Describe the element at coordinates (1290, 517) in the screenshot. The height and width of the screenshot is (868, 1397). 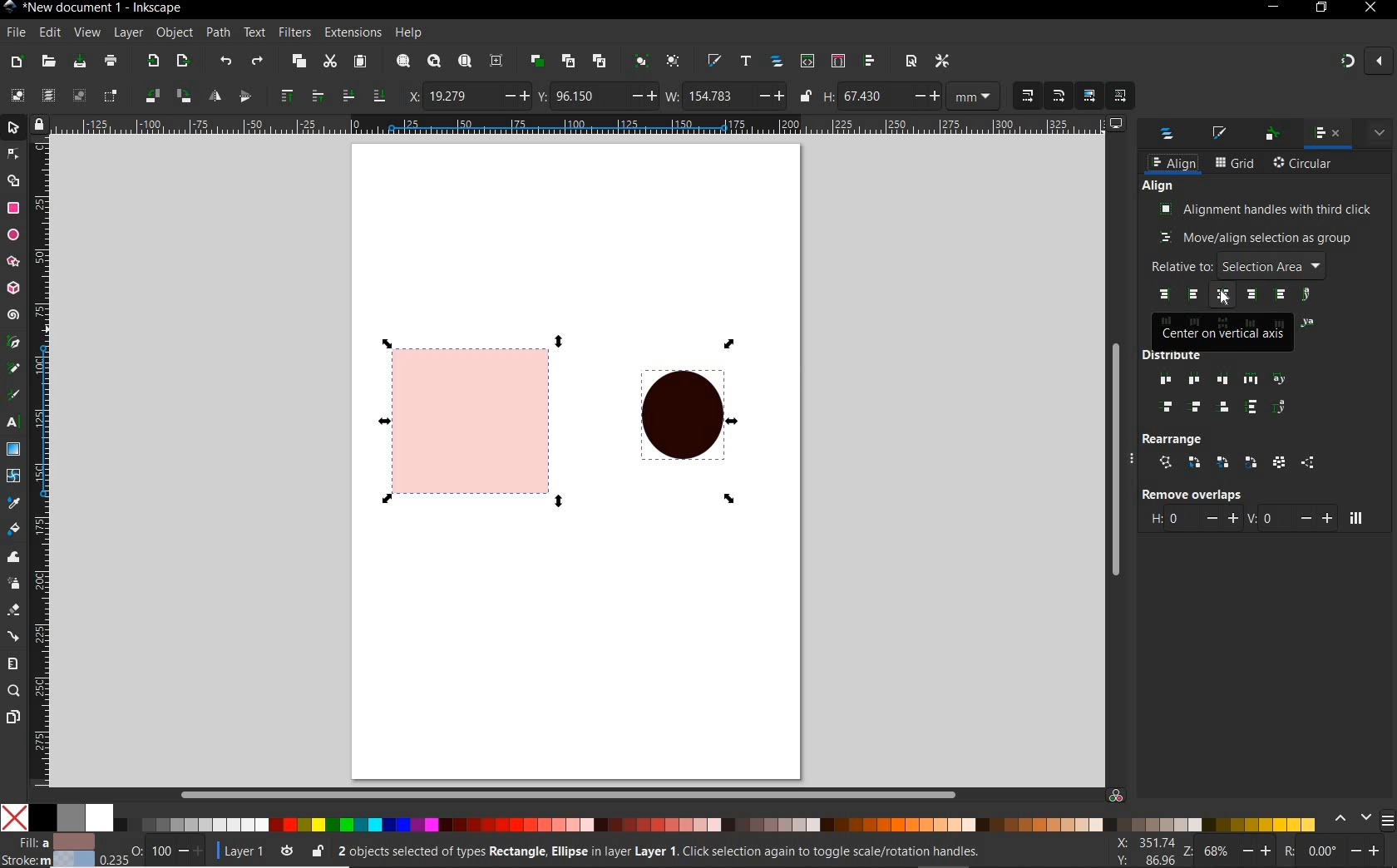
I see `CHANGE VERTICAL` at that location.